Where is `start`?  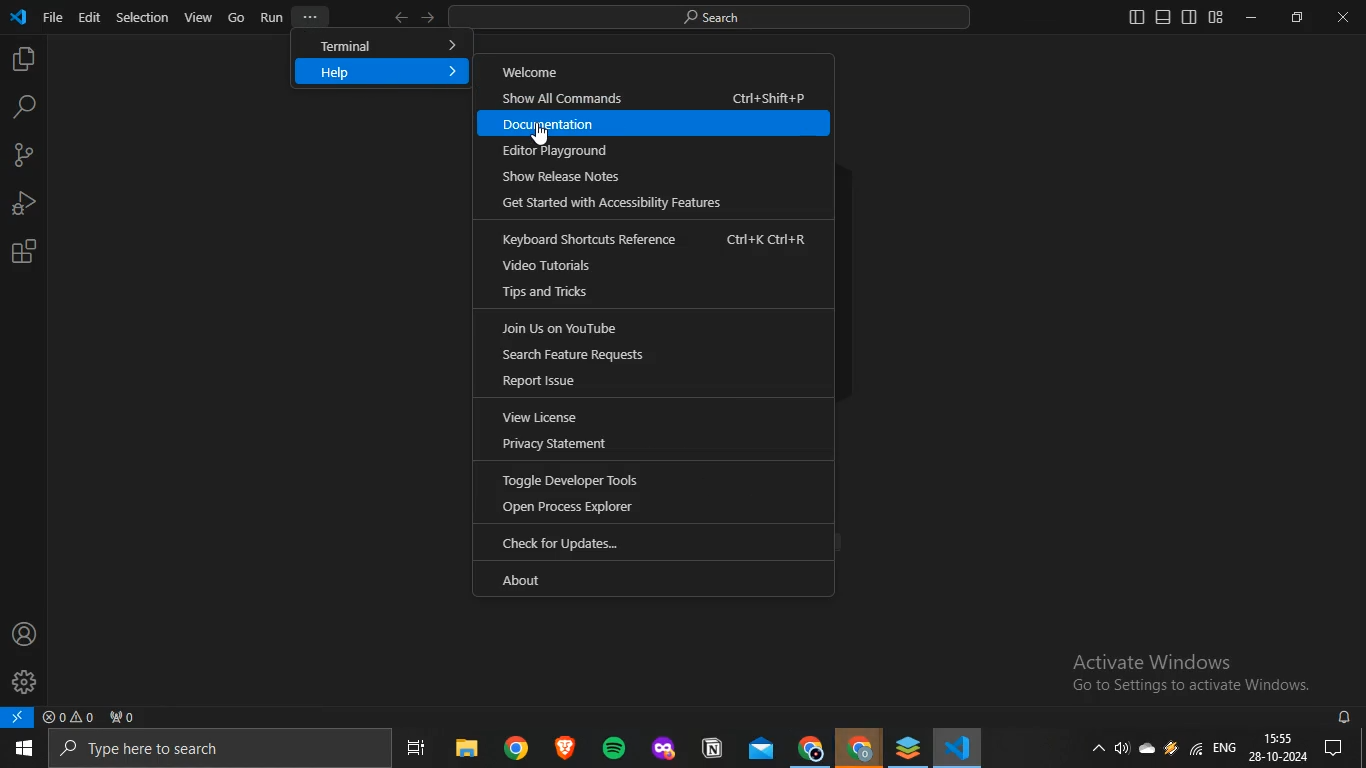 start is located at coordinates (22, 750).